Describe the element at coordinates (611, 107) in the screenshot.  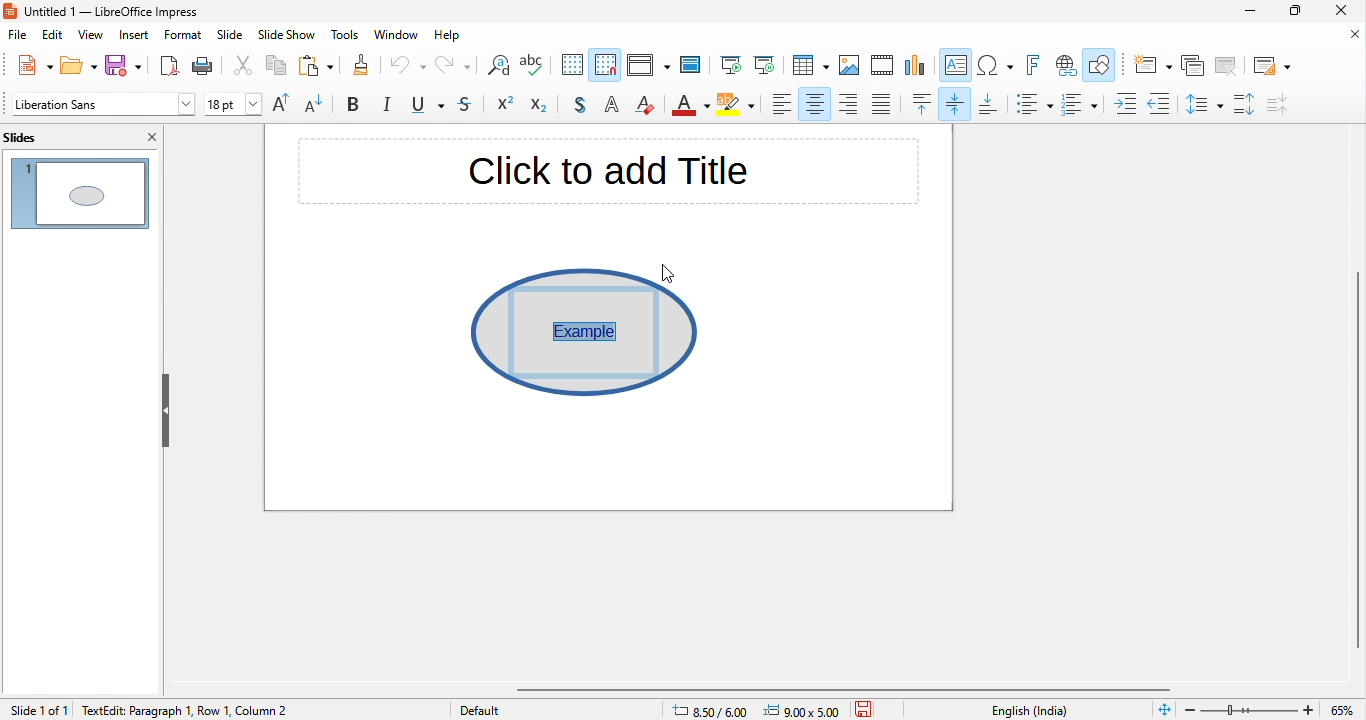
I see `apply outline attribute to font` at that location.